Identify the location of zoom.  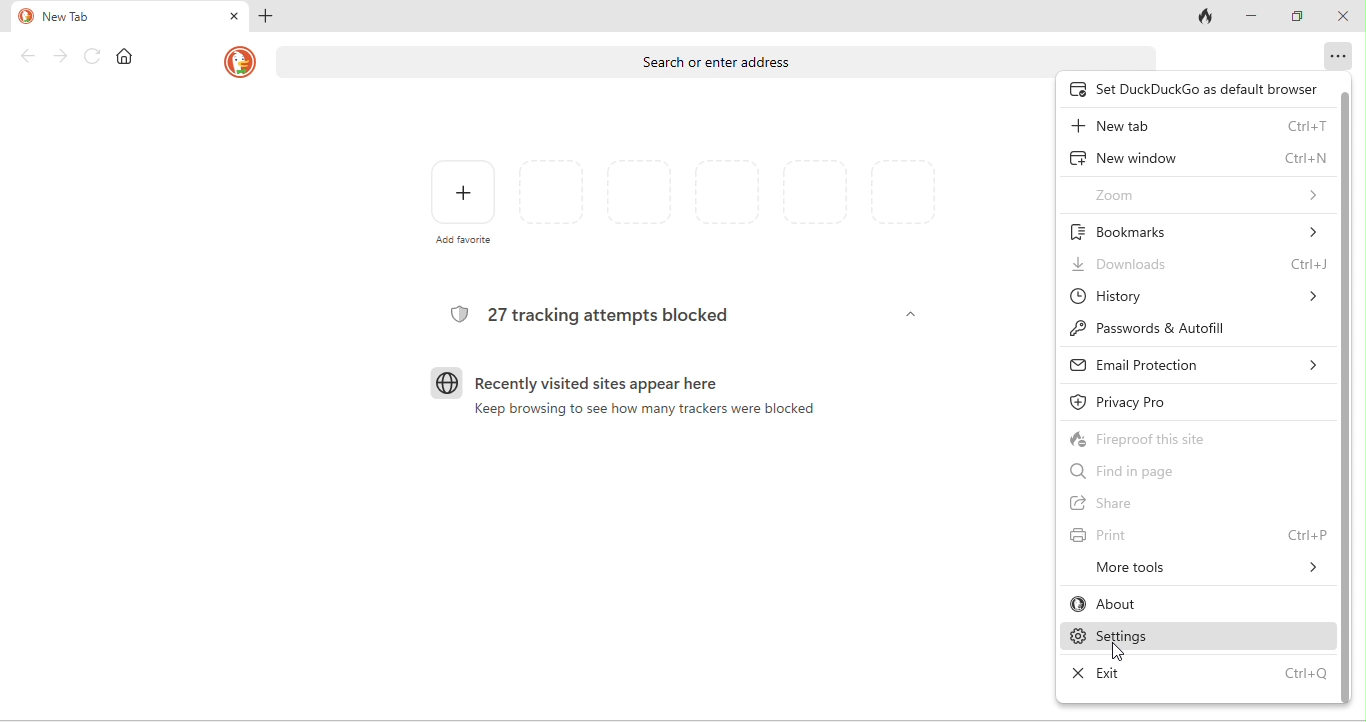
(1205, 193).